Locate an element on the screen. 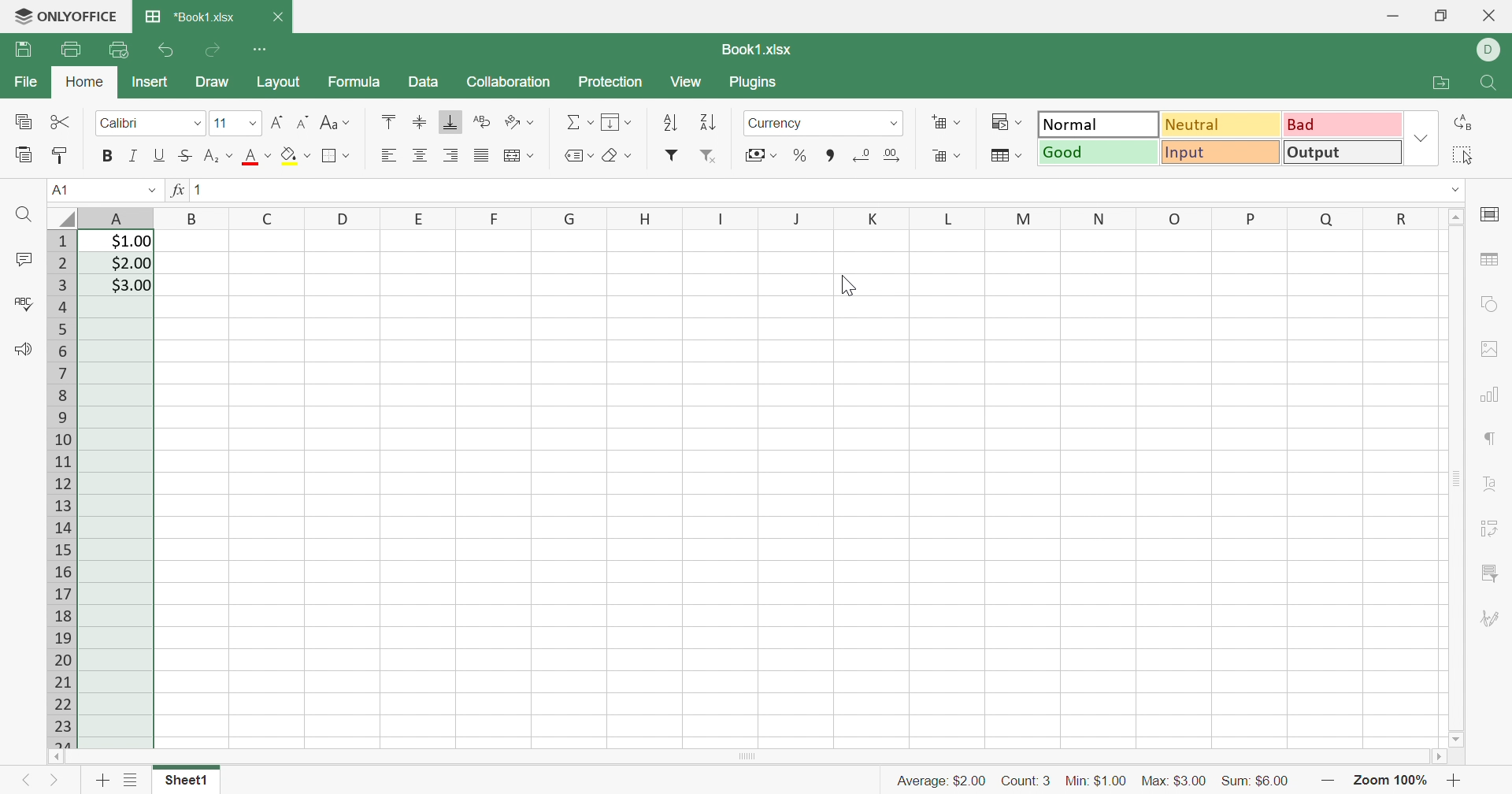 This screenshot has width=1512, height=794. Underline is located at coordinates (158, 155).